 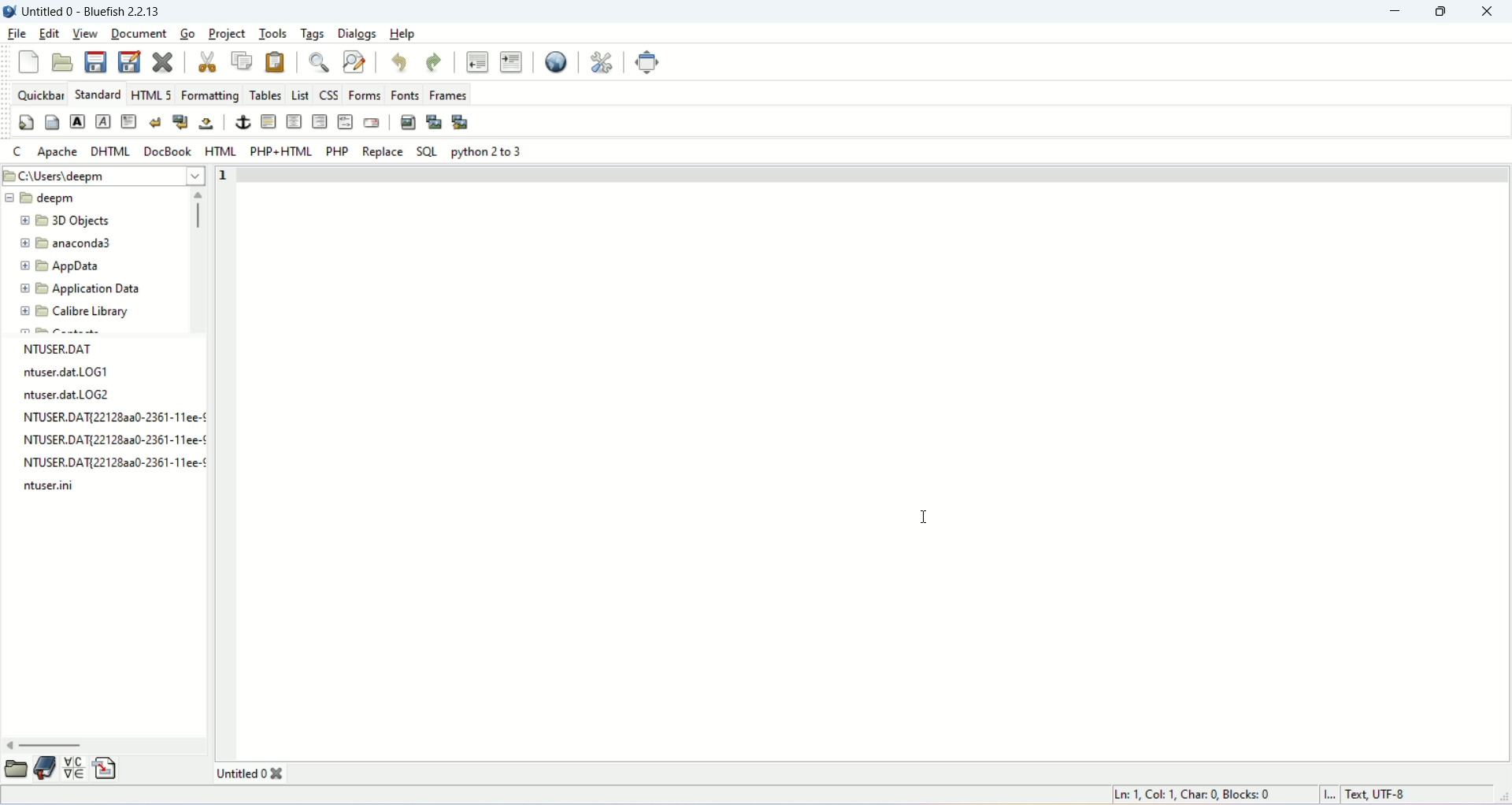 I want to click on  C\Users\deepm, so click(x=64, y=178).